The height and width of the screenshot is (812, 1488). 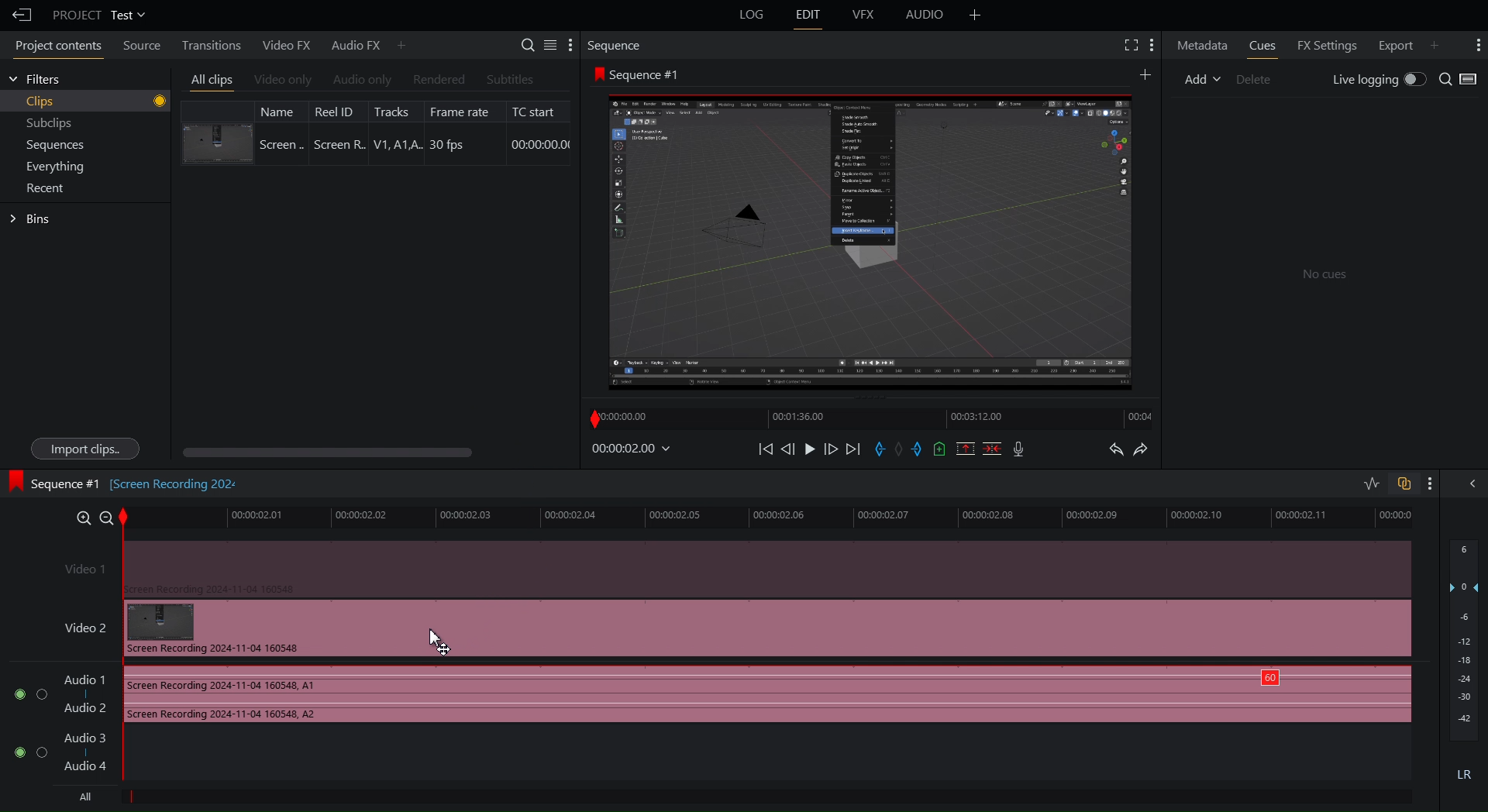 I want to click on Video Only, so click(x=283, y=81).